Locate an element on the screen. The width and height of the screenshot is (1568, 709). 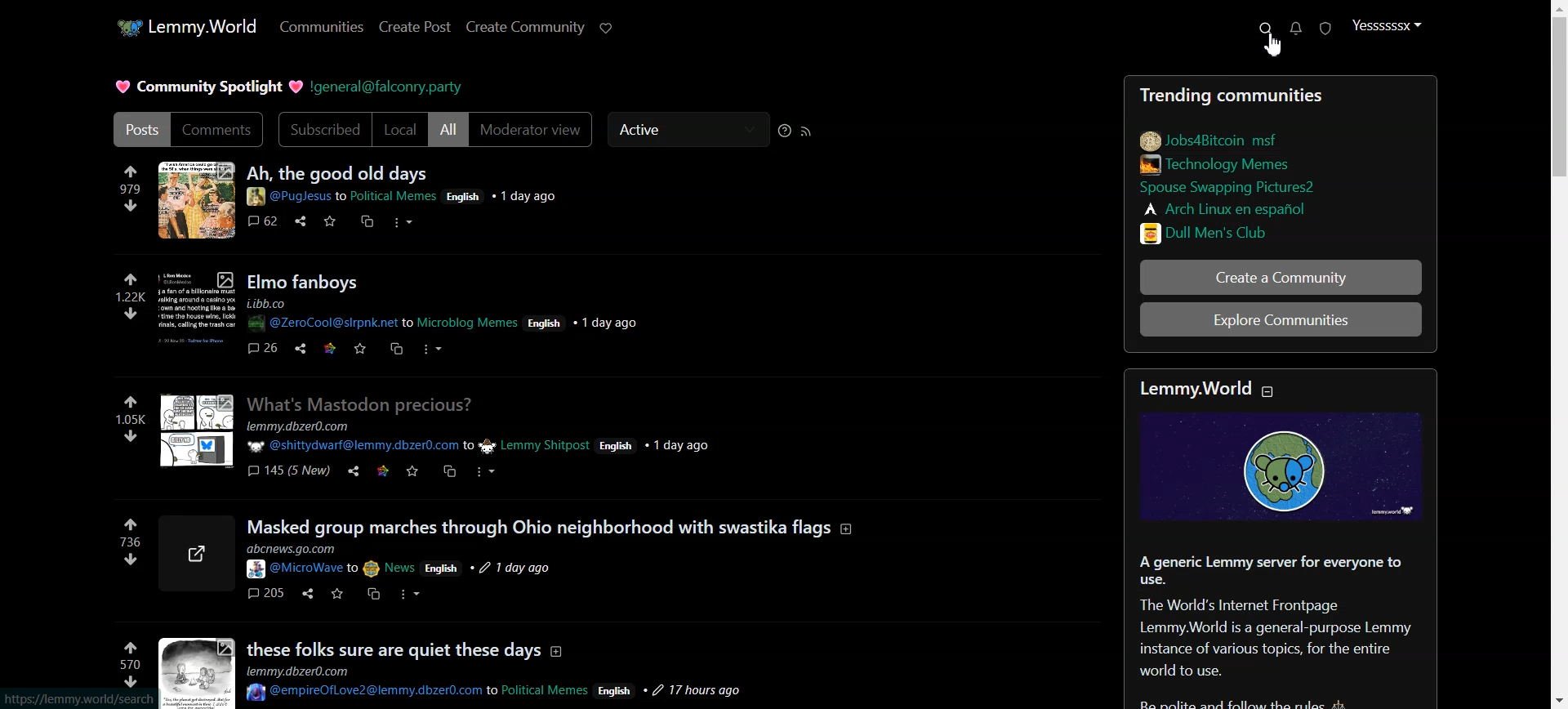
numbers is located at coordinates (124, 296).